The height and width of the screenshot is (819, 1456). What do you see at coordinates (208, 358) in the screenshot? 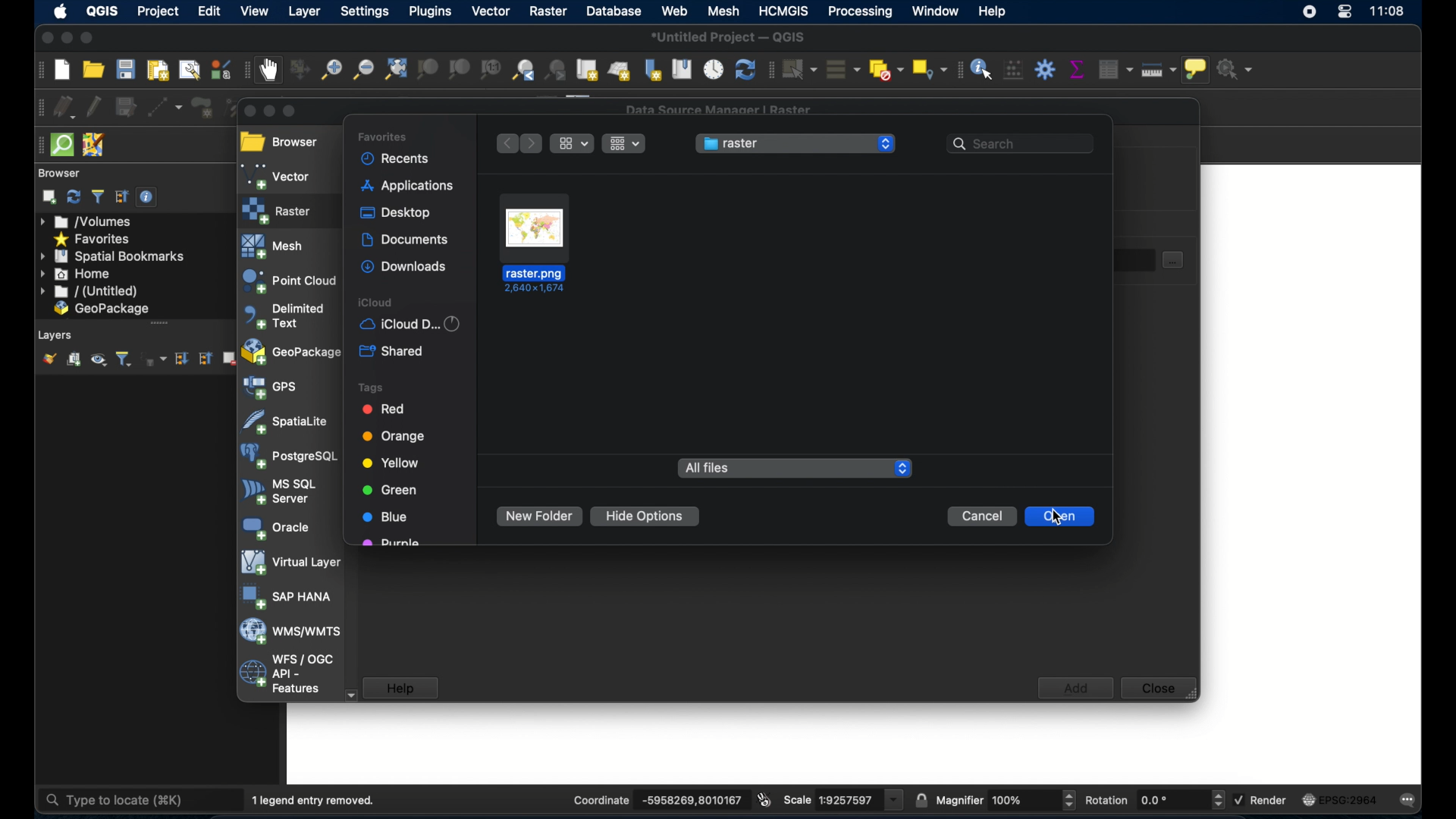
I see `collapse all` at bounding box center [208, 358].